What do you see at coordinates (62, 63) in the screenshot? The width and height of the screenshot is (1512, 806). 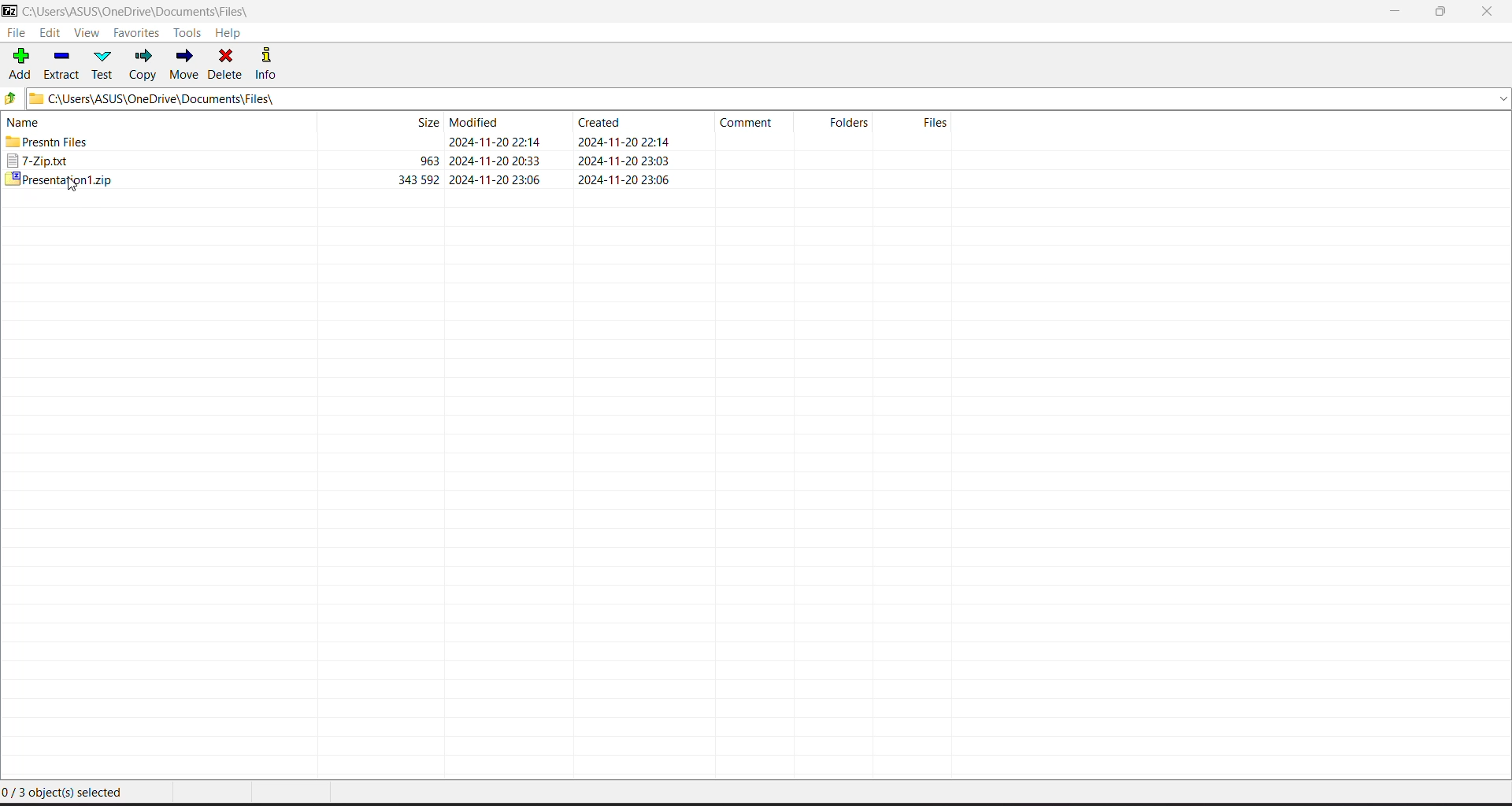 I see `Extract` at bounding box center [62, 63].